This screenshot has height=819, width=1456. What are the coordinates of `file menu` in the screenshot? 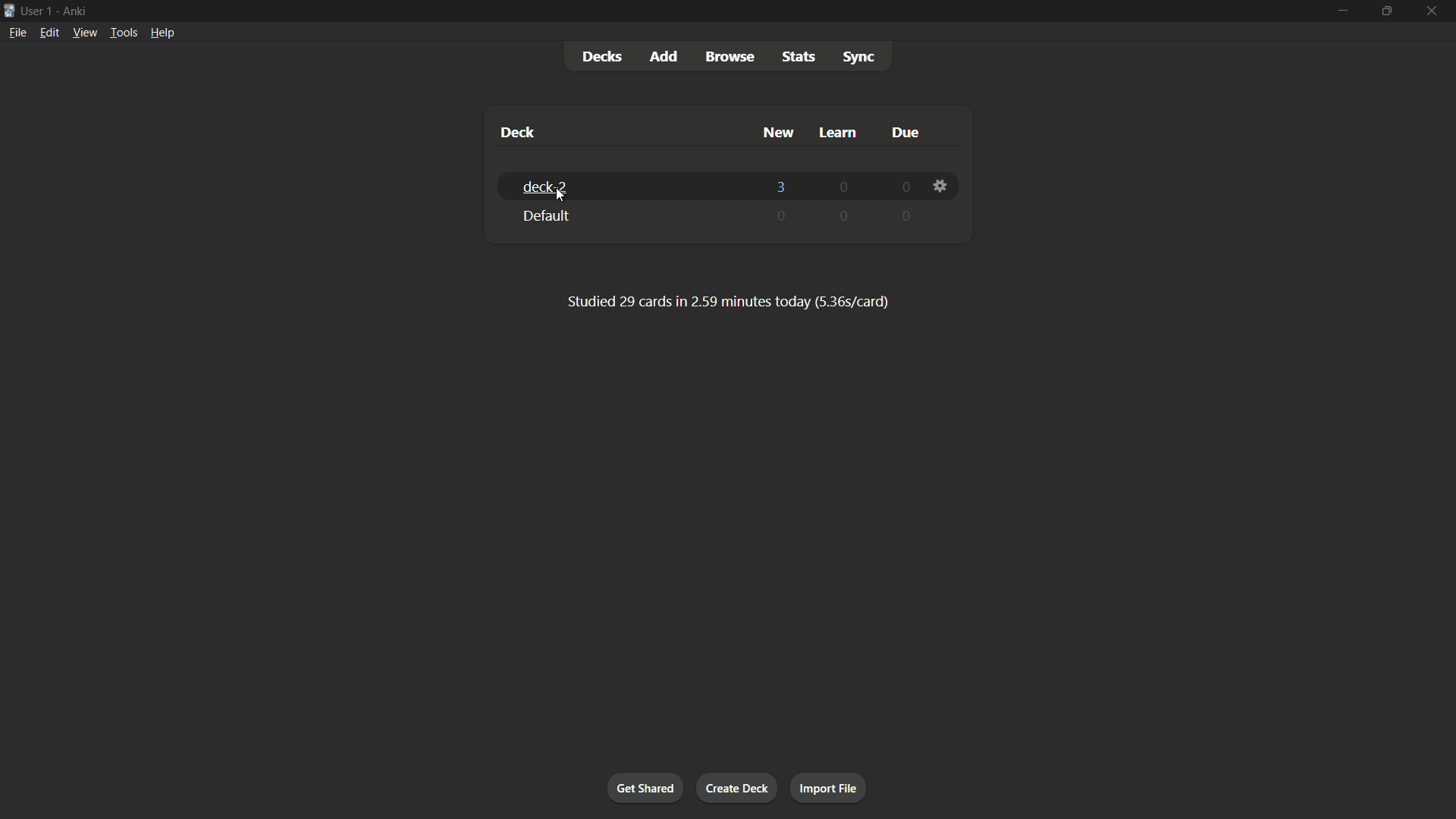 It's located at (17, 33).